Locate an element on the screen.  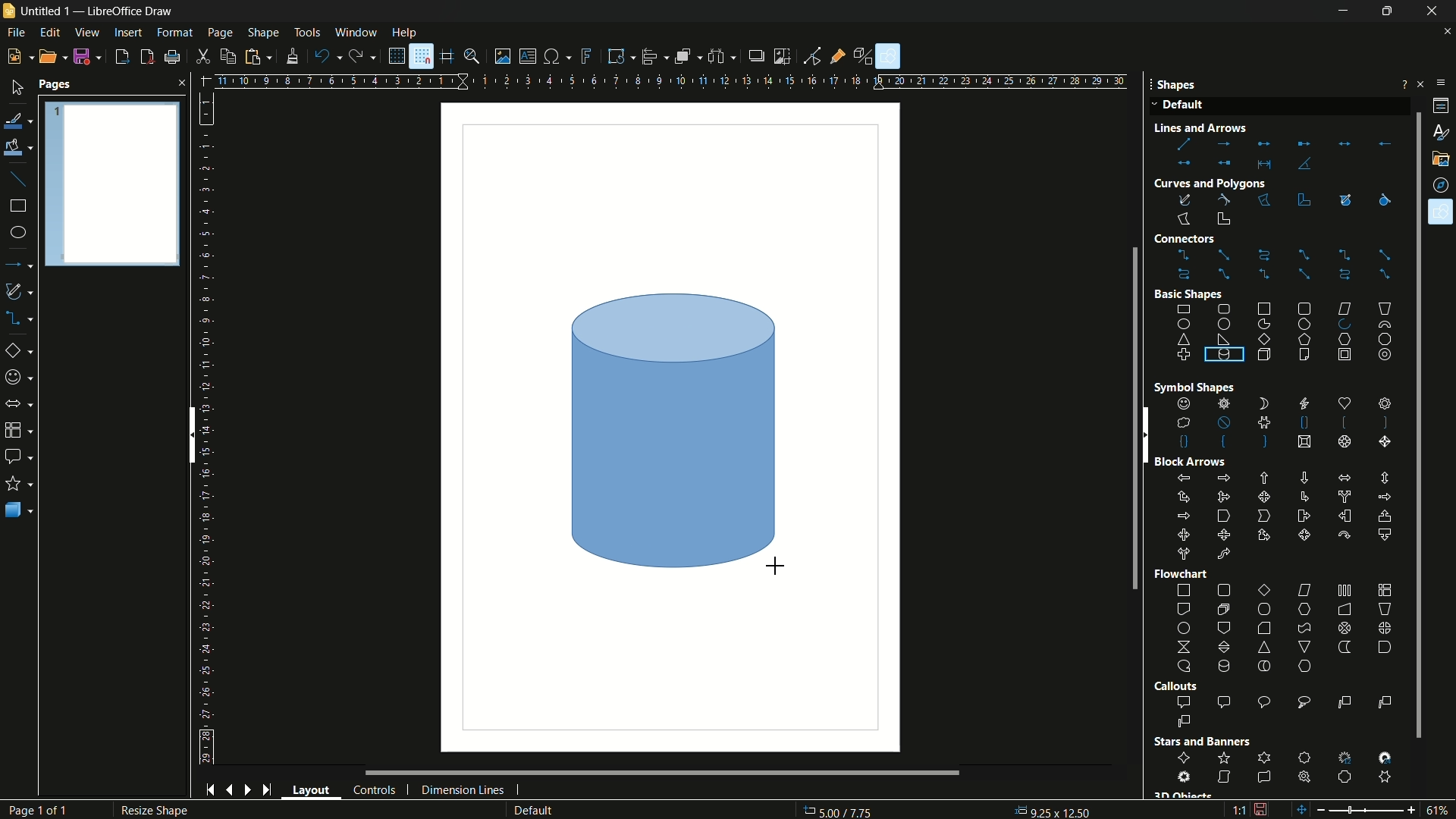
cylinders is located at coordinates (1243, 378).